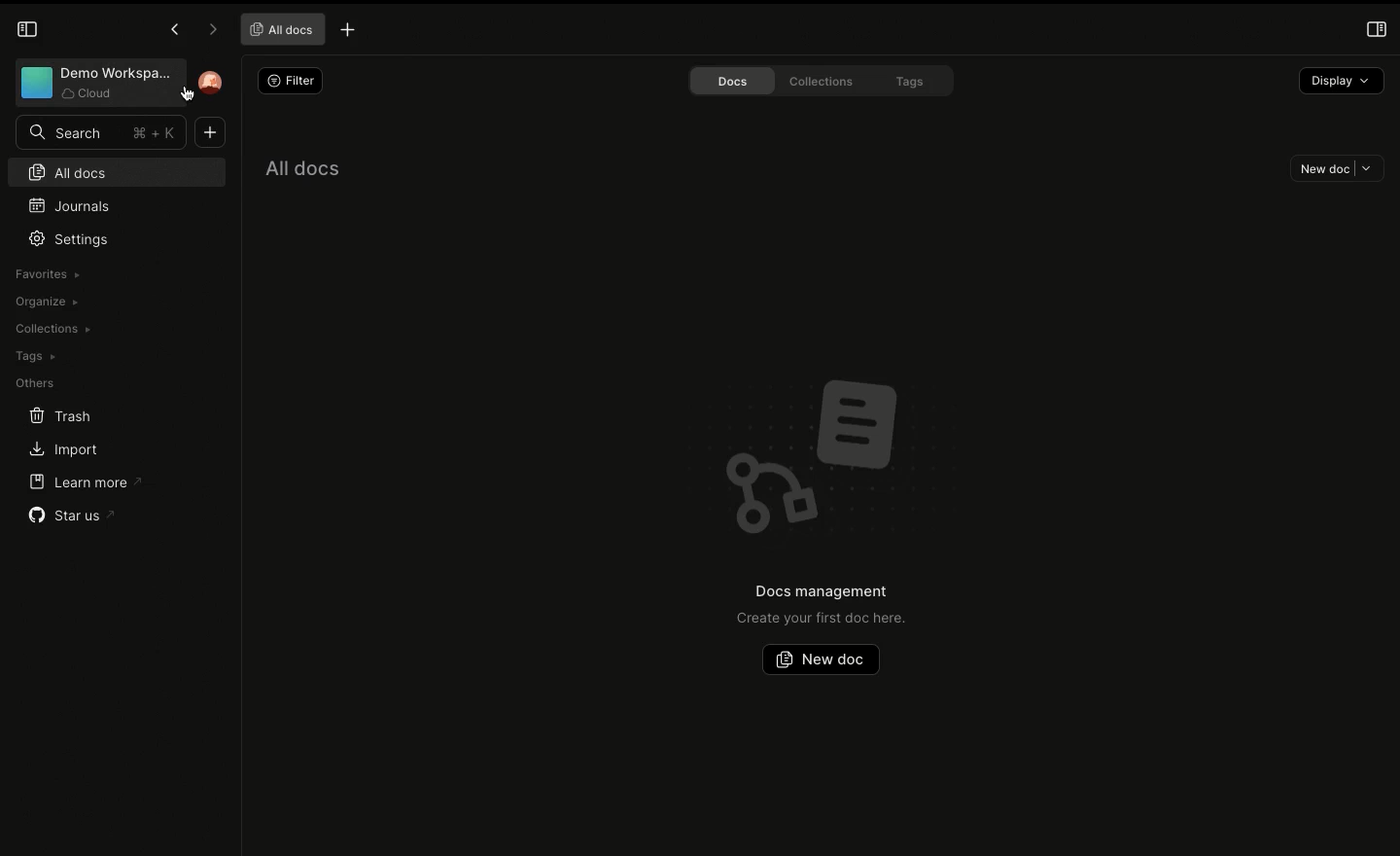 The image size is (1400, 856). I want to click on New tab, so click(348, 29).